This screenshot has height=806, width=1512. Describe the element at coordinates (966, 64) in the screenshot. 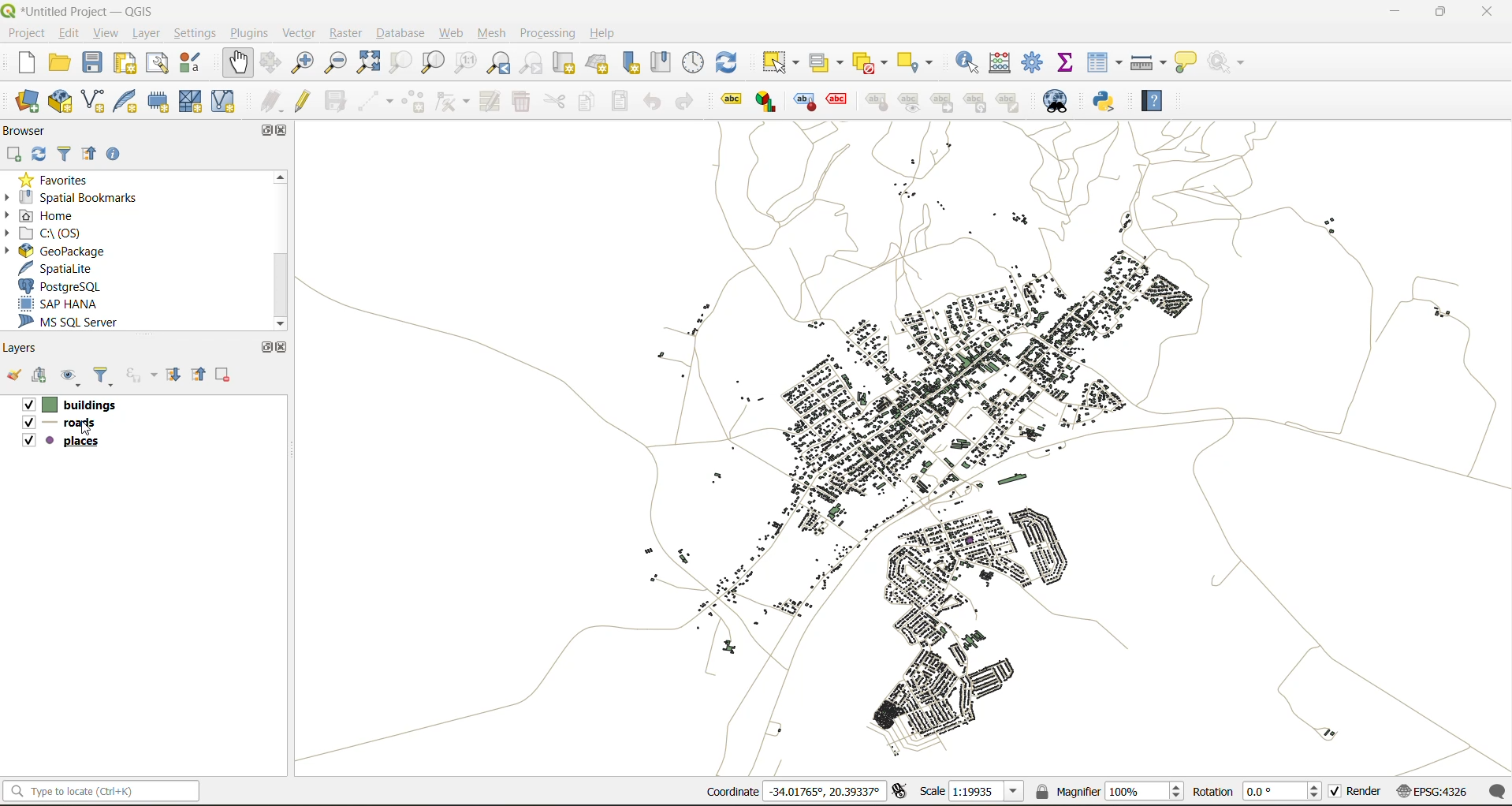

I see `identify features` at that location.